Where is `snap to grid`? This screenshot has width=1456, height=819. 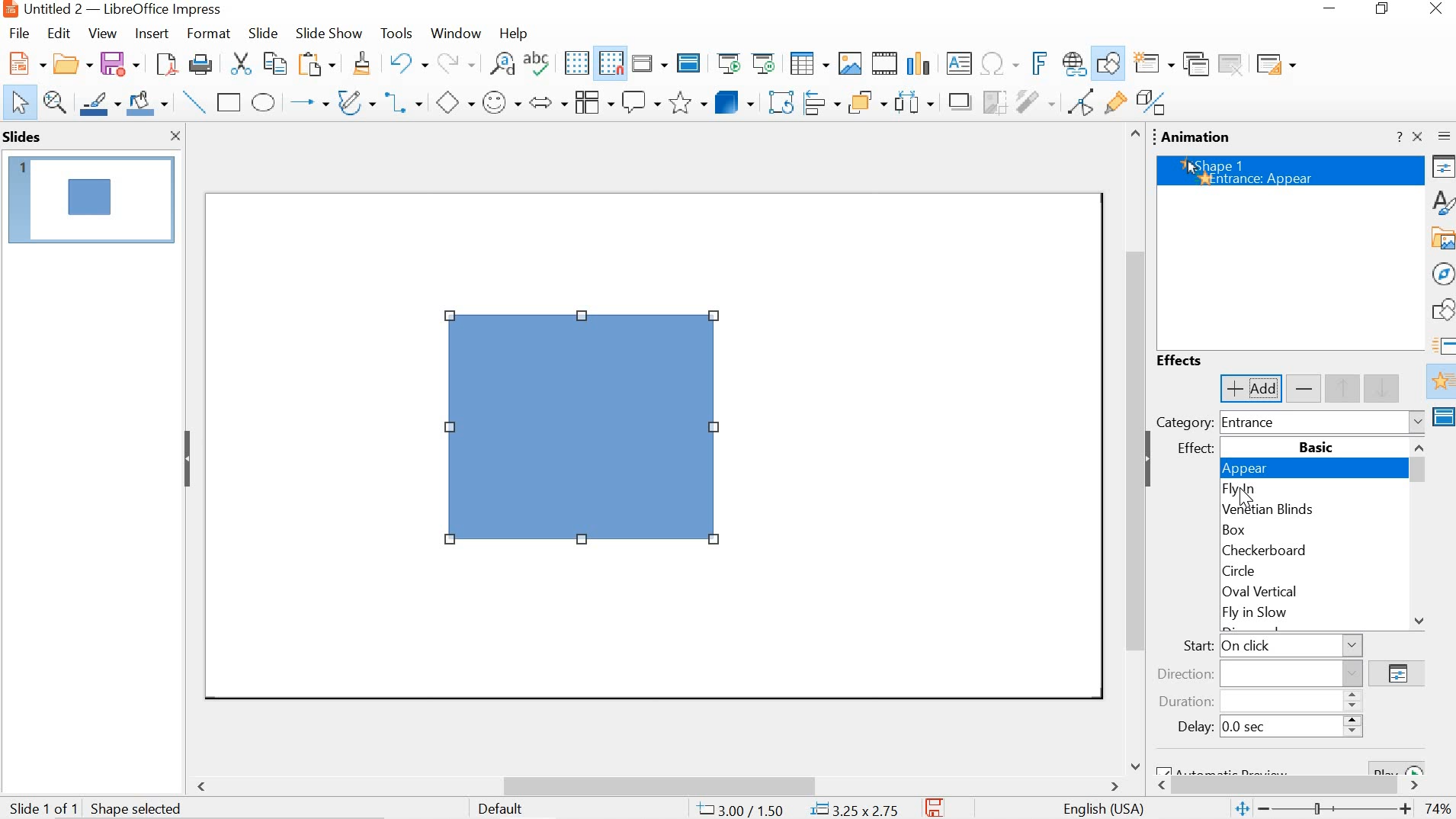 snap to grid is located at coordinates (611, 64).